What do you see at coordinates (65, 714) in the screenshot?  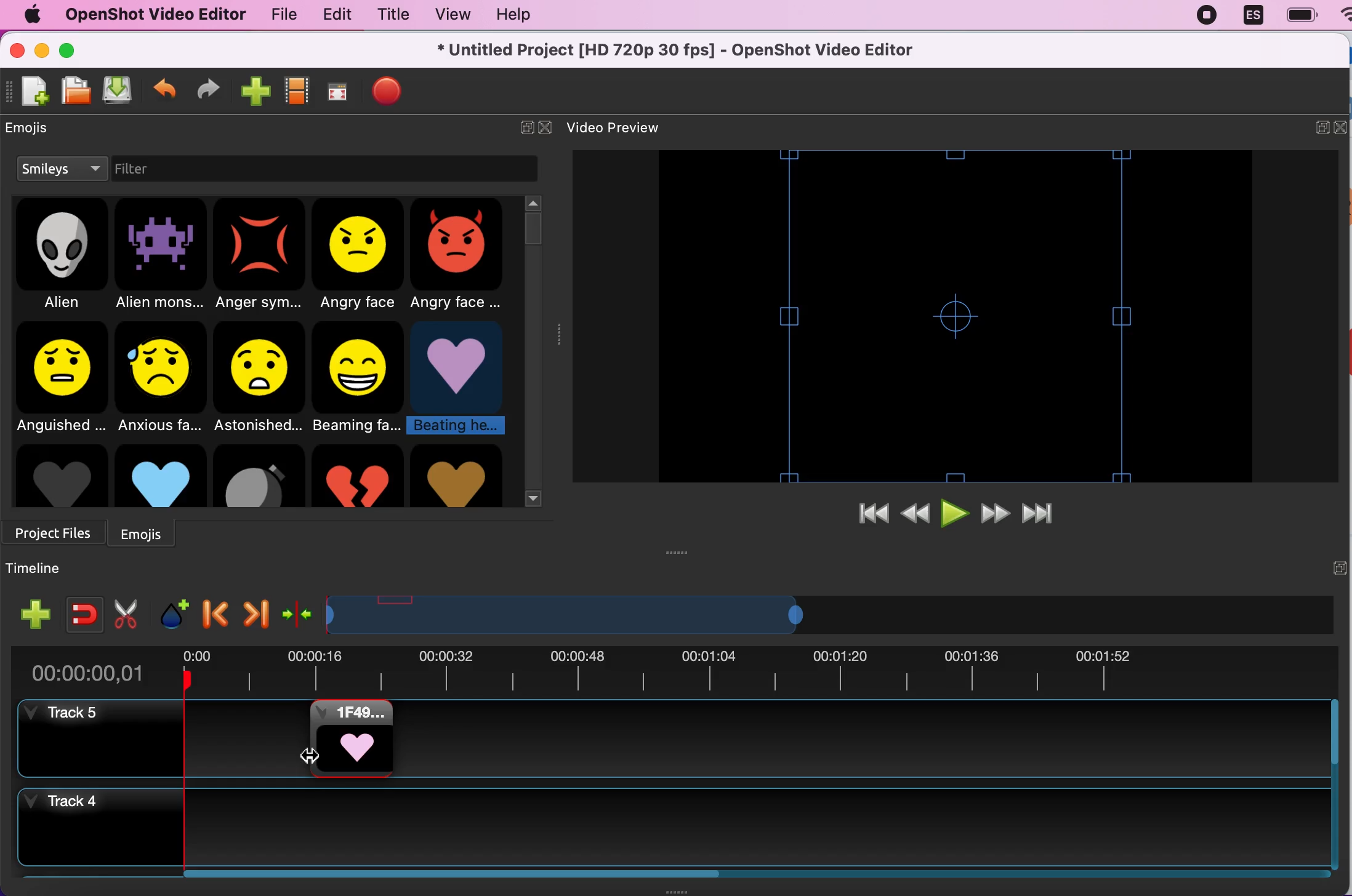 I see `track 5` at bounding box center [65, 714].